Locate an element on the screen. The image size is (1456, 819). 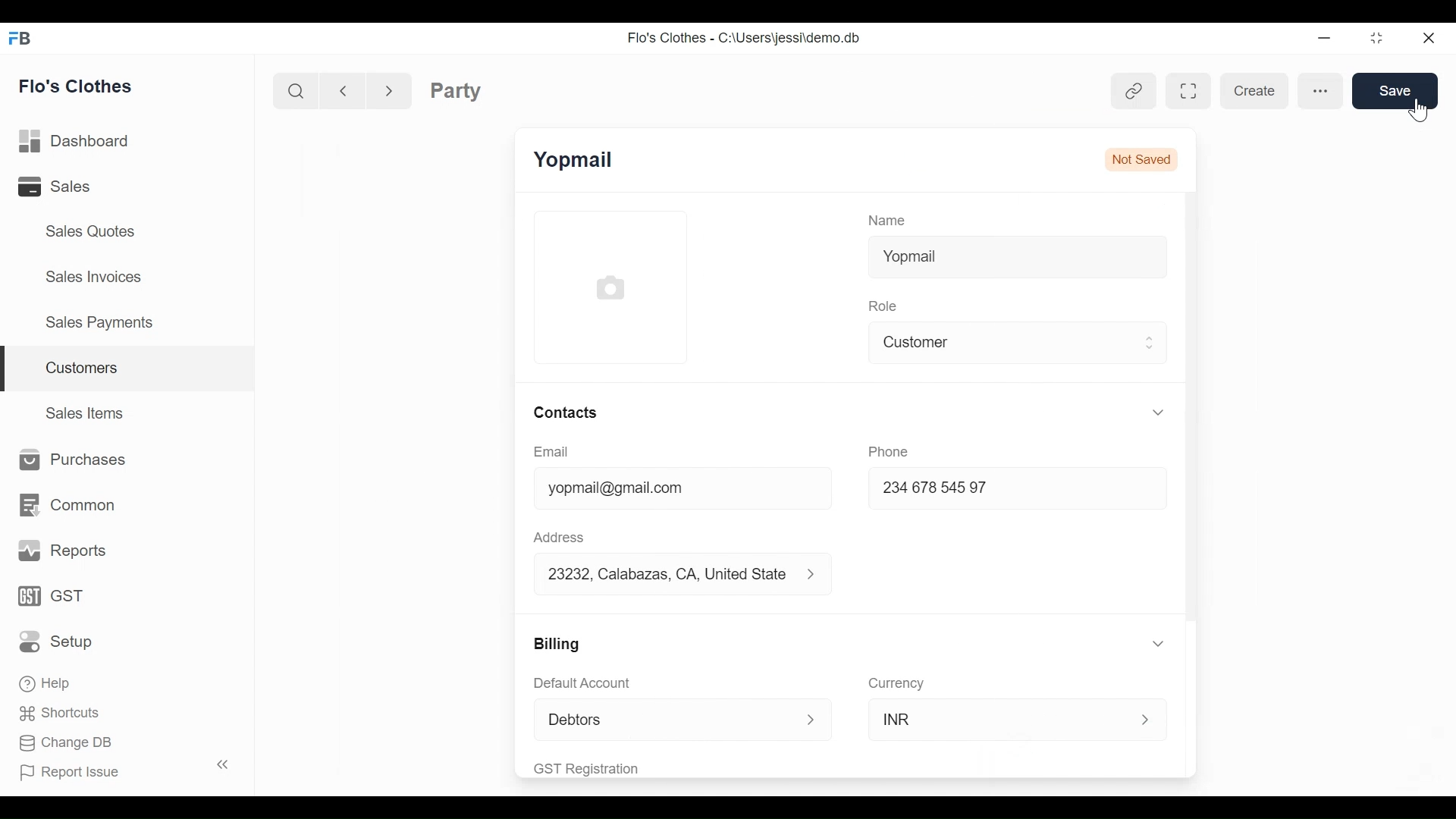
Address is located at coordinates (558, 537).